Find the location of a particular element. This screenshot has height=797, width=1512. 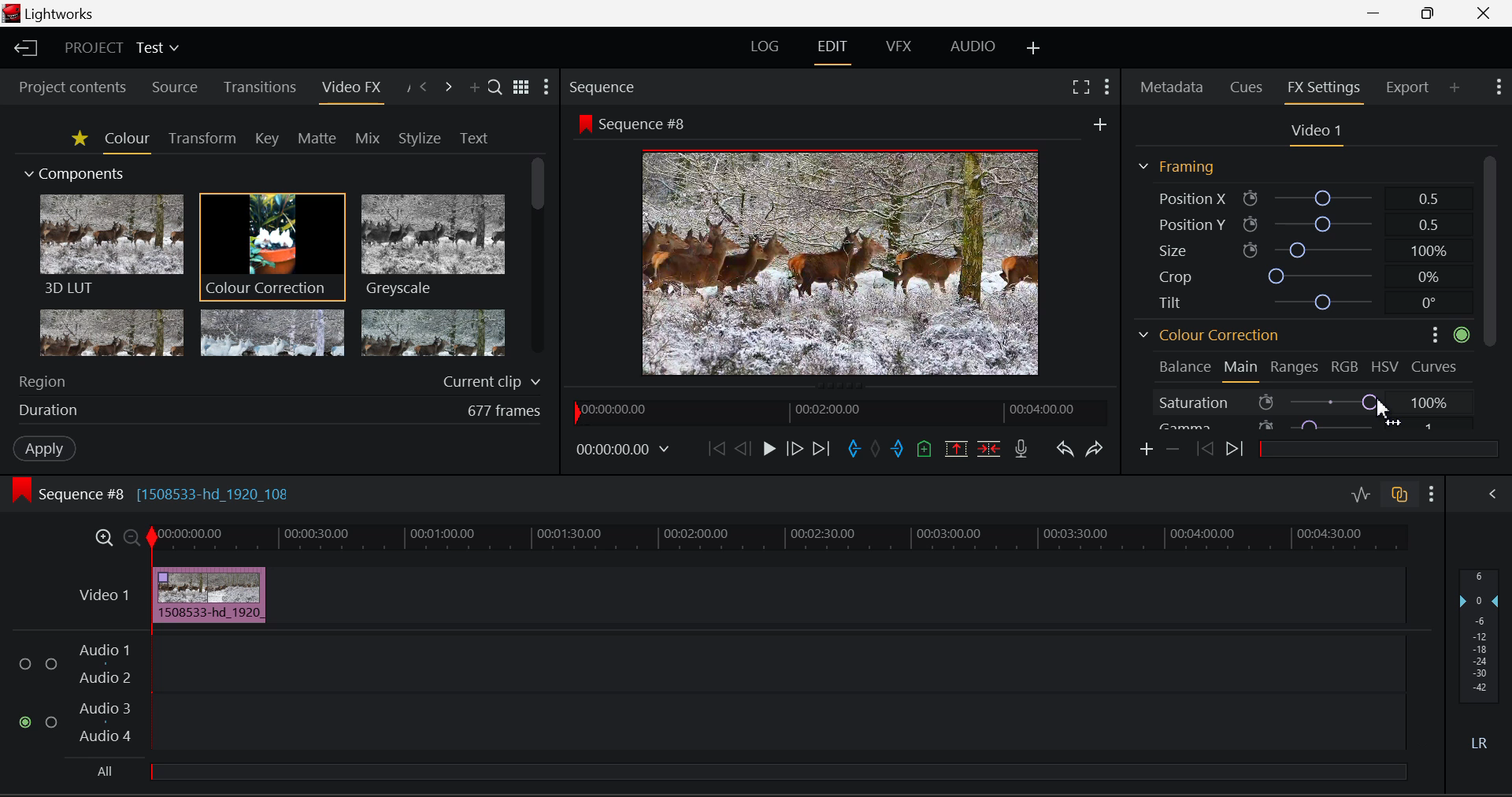

RGB is located at coordinates (1345, 366).